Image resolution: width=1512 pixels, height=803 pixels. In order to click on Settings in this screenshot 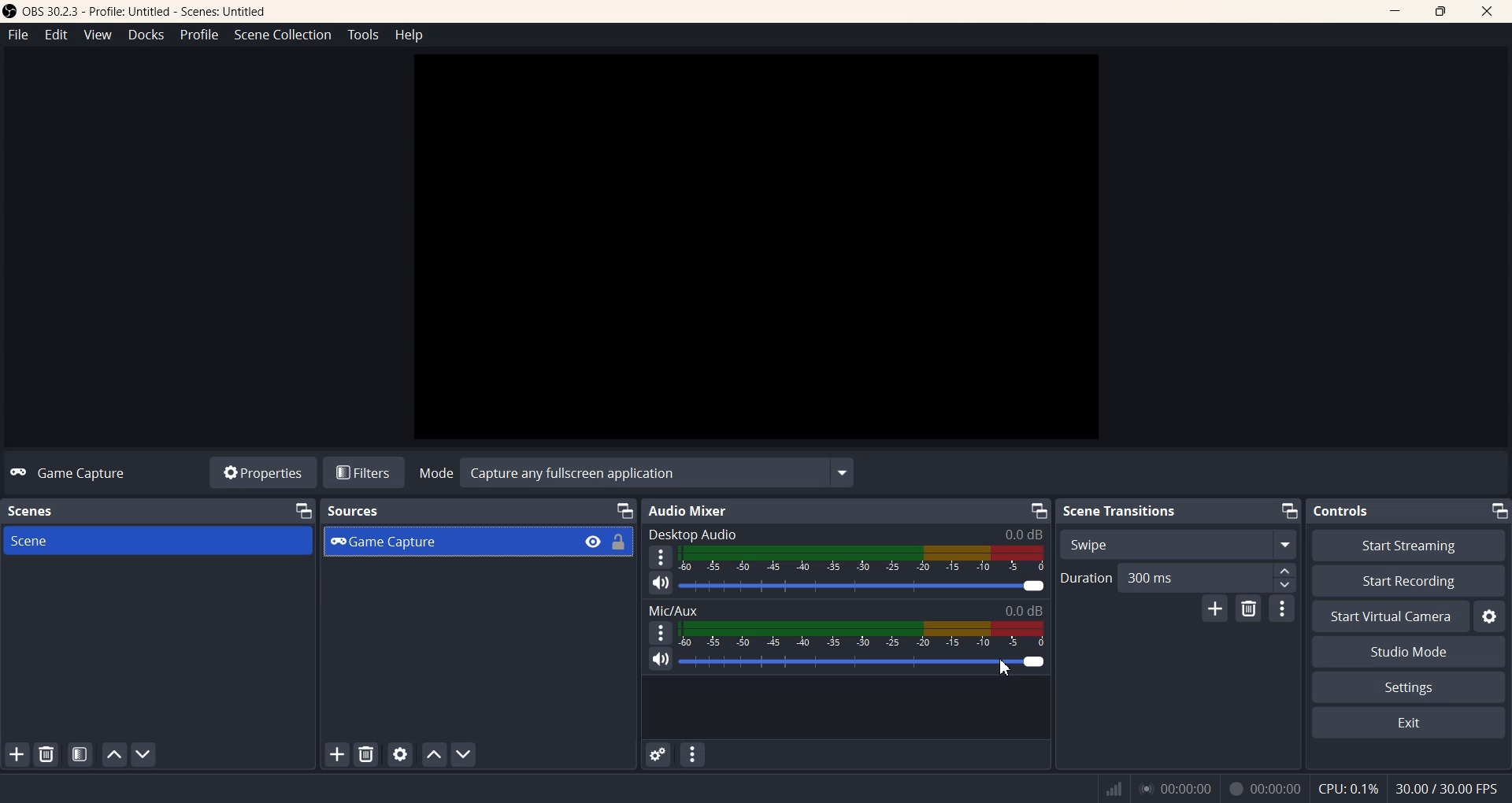, I will do `click(1409, 686)`.